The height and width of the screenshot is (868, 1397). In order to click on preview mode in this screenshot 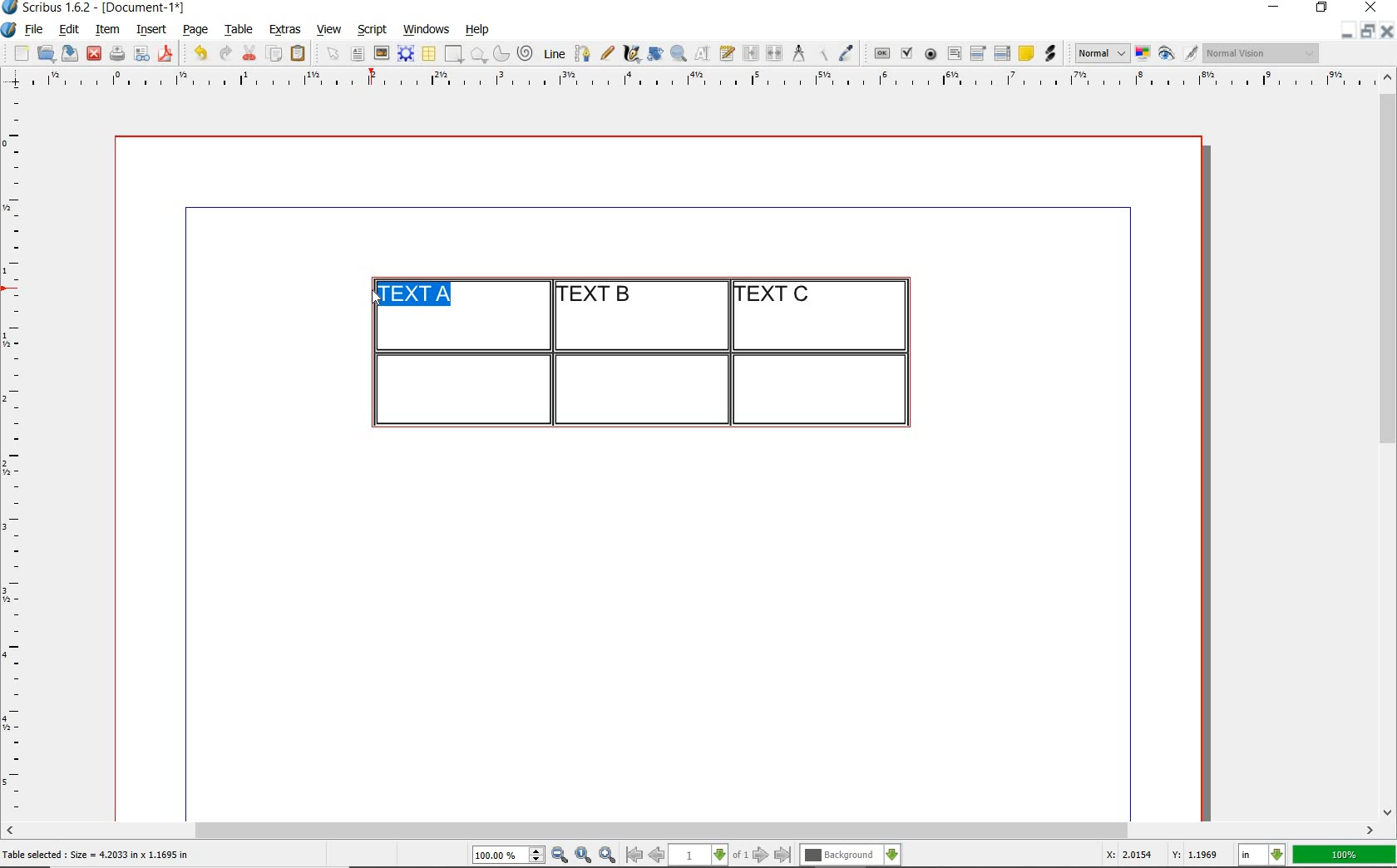, I will do `click(1178, 54)`.